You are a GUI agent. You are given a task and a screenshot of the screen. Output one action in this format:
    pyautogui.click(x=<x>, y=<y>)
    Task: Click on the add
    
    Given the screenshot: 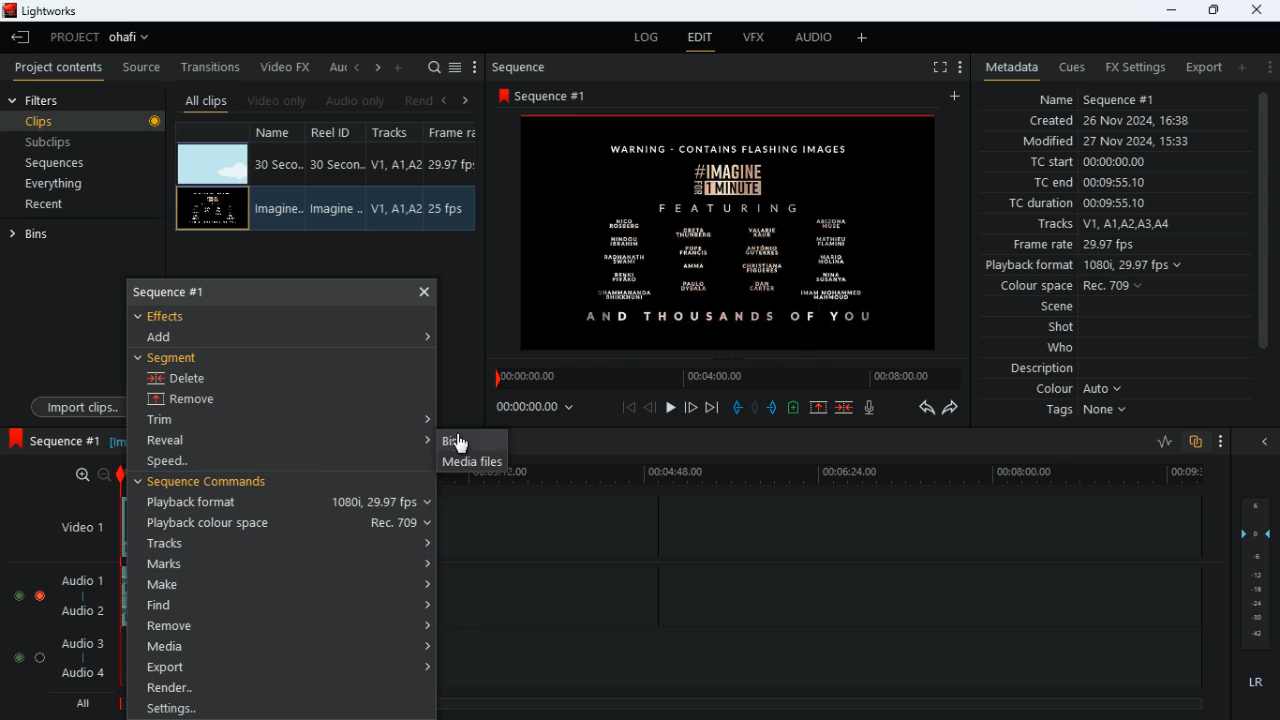 What is the action you would take?
    pyautogui.click(x=957, y=97)
    